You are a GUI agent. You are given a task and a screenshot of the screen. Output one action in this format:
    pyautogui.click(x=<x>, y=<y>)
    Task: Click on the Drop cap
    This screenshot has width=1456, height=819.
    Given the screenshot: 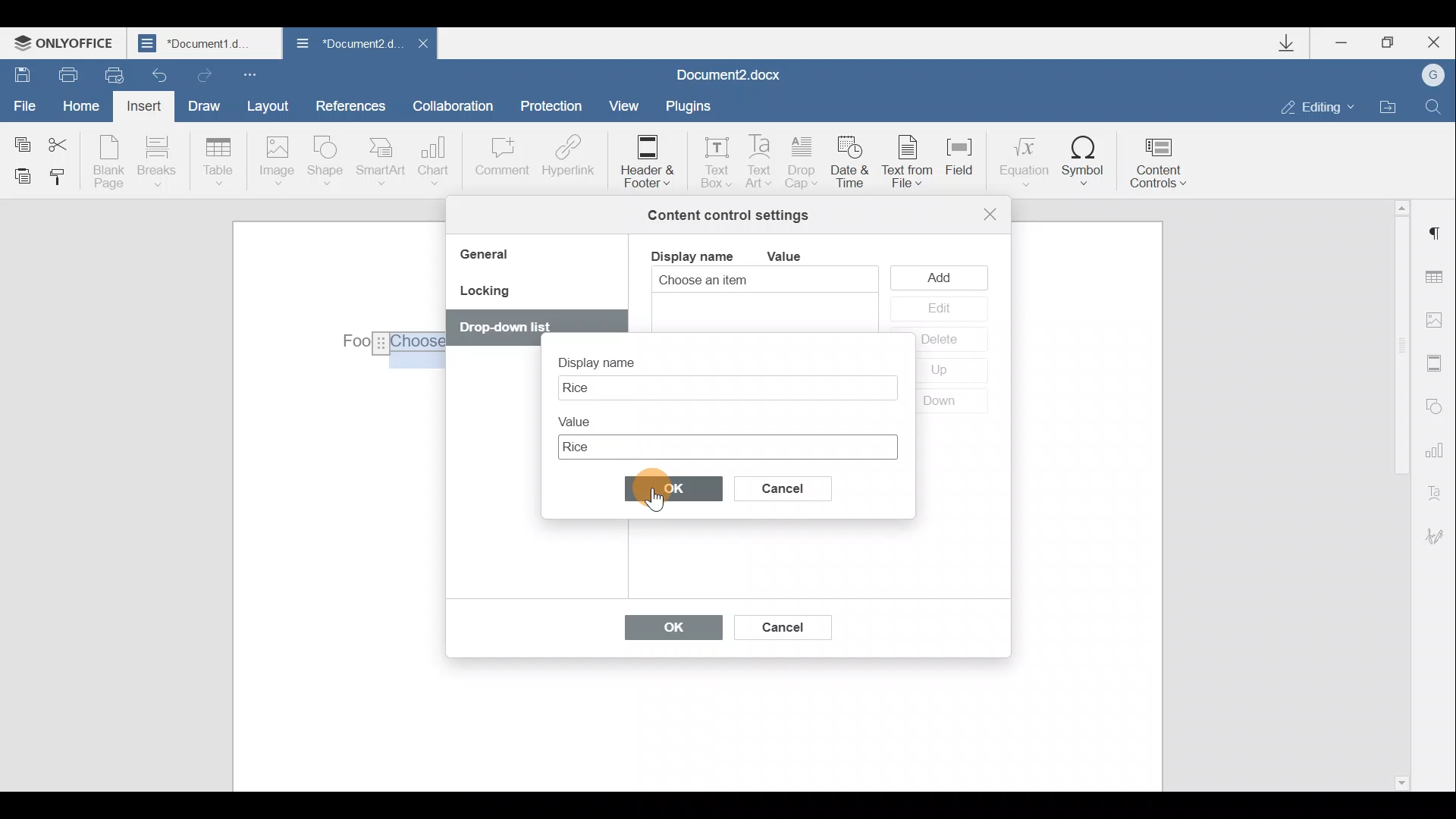 What is the action you would take?
    pyautogui.click(x=802, y=164)
    